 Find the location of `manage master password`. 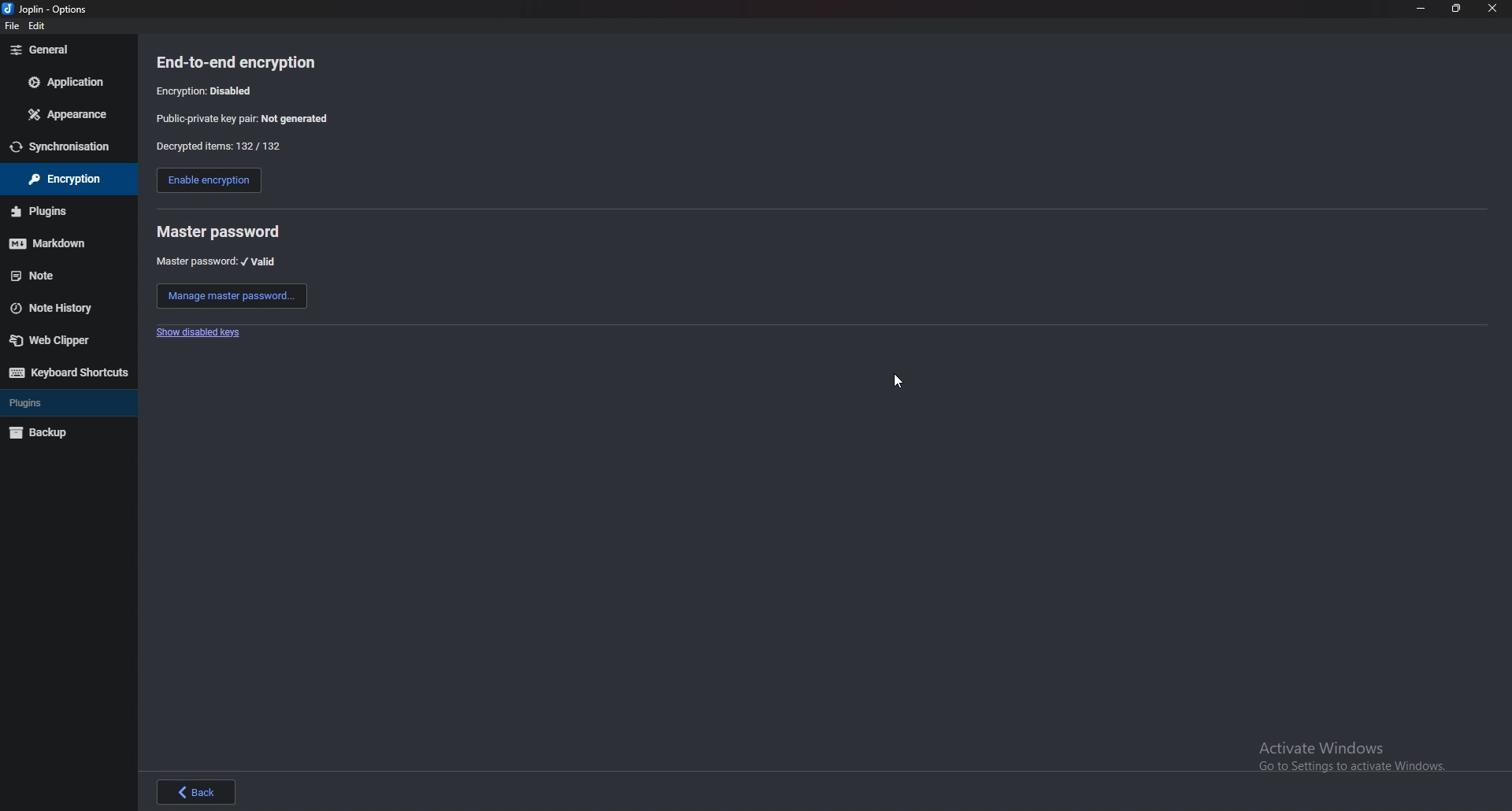

manage master password is located at coordinates (232, 296).